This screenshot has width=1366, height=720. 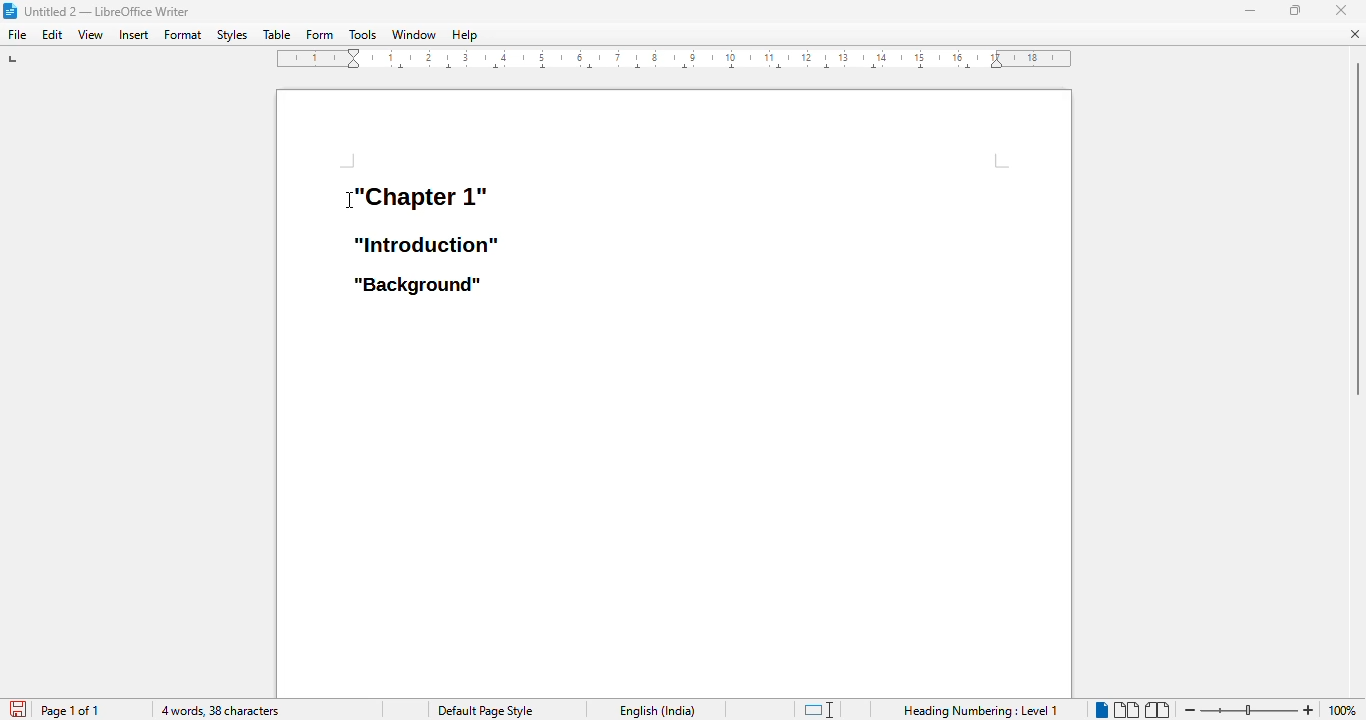 I want to click on zoom out, so click(x=1191, y=710).